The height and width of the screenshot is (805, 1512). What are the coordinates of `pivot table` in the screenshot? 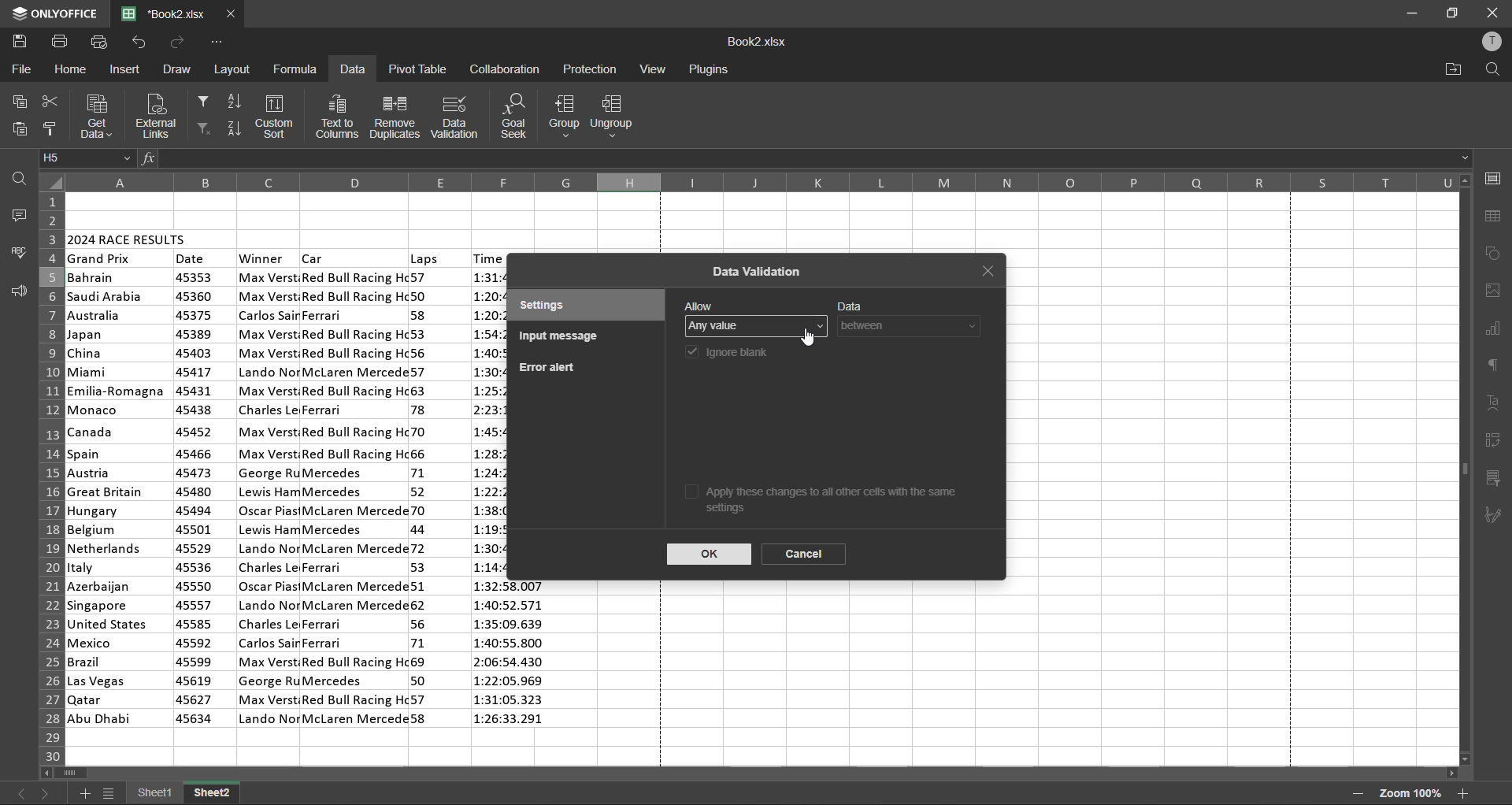 It's located at (416, 69).